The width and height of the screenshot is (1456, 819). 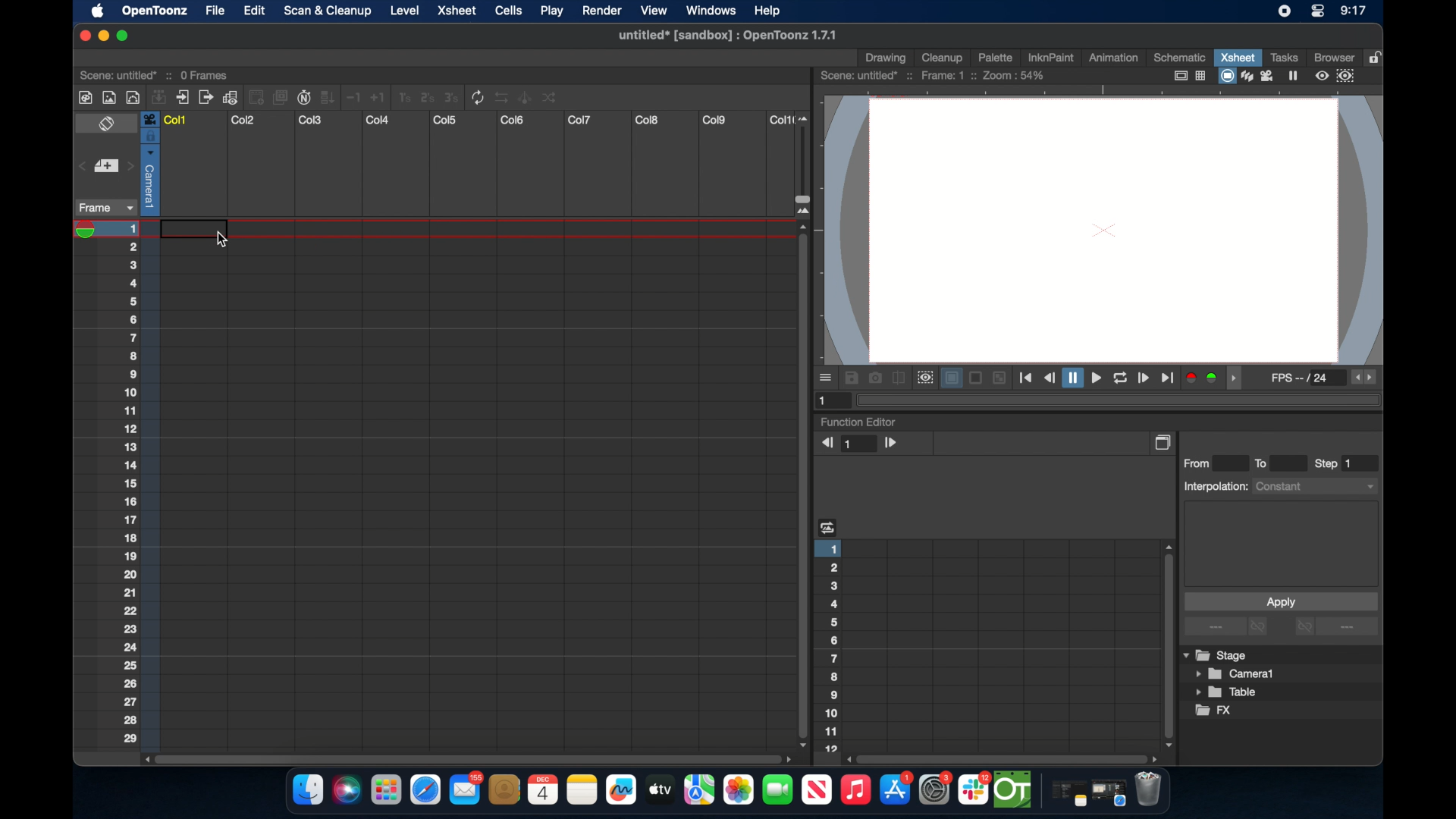 I want to click on opentoonz, so click(x=1014, y=790).